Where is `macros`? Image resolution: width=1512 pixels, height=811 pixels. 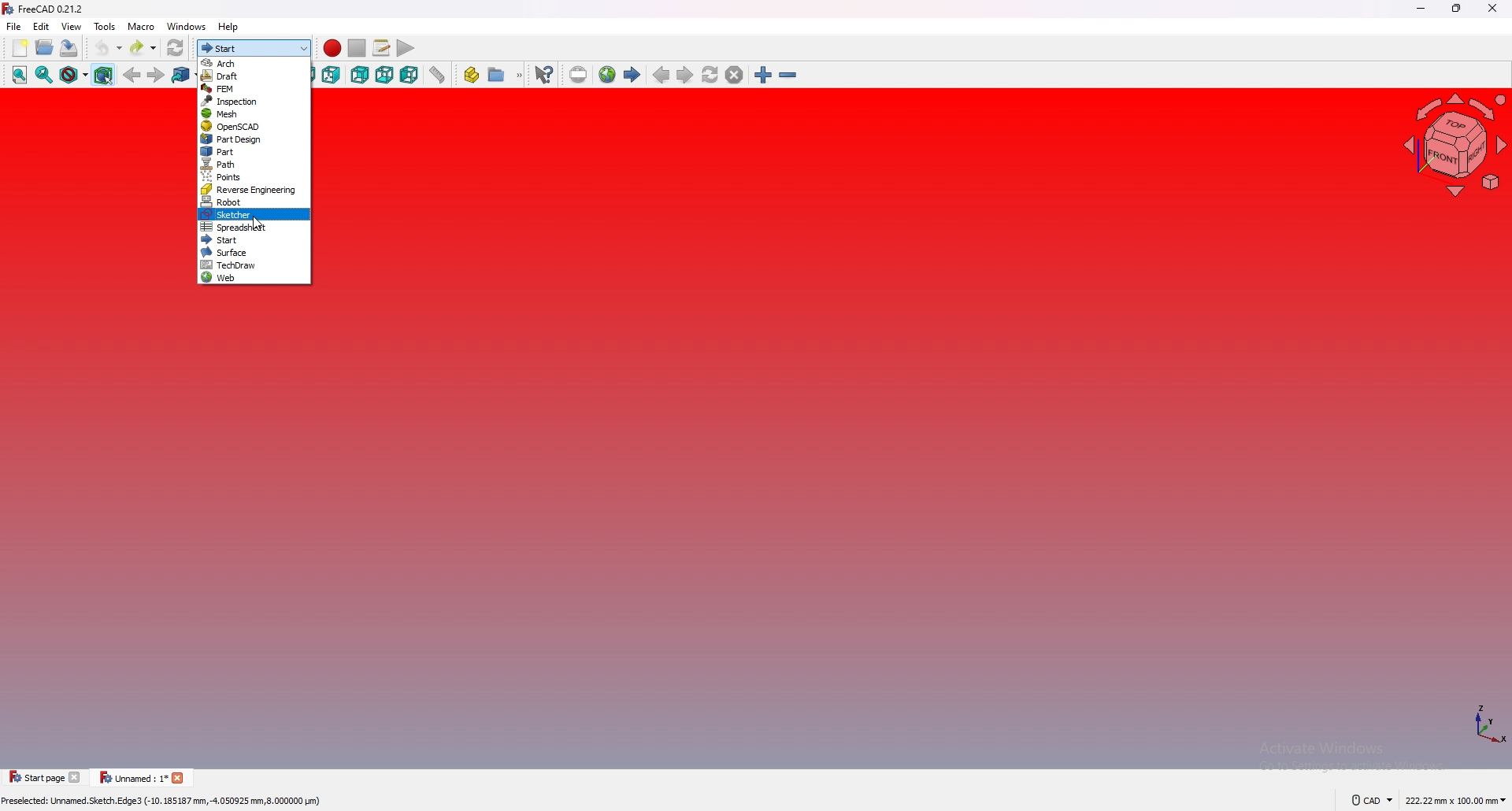 macros is located at coordinates (382, 48).